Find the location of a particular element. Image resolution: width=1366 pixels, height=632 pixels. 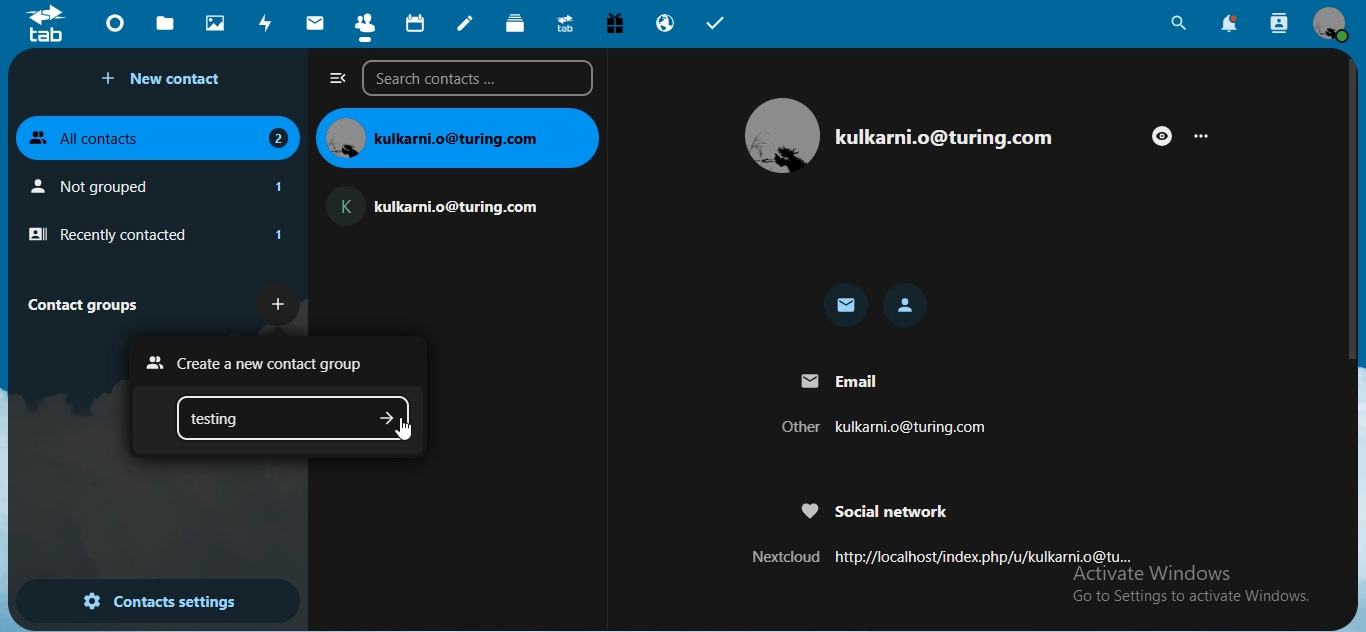

close navigation is located at coordinates (338, 78).